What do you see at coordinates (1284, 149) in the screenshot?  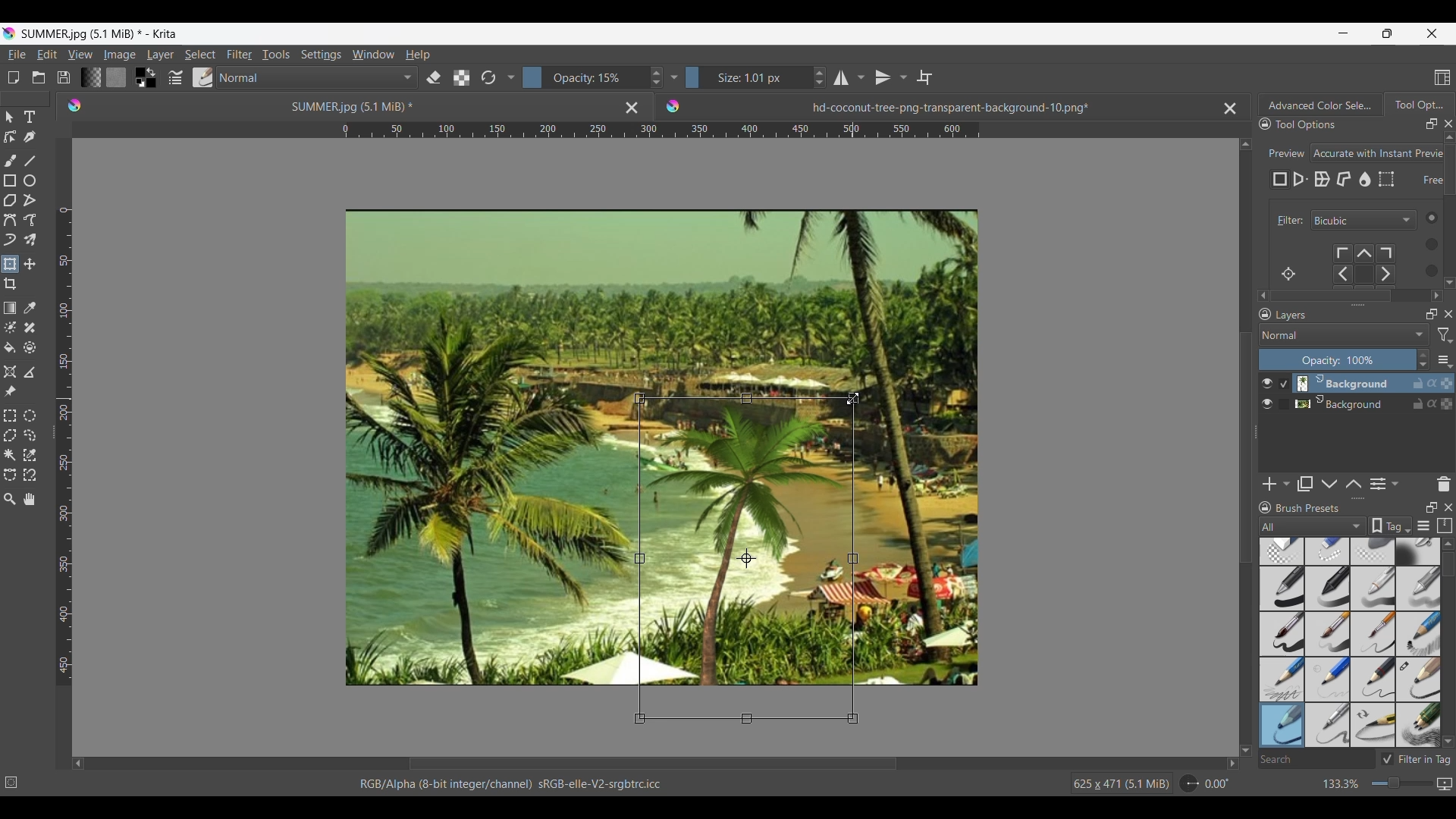 I see `Preview` at bounding box center [1284, 149].